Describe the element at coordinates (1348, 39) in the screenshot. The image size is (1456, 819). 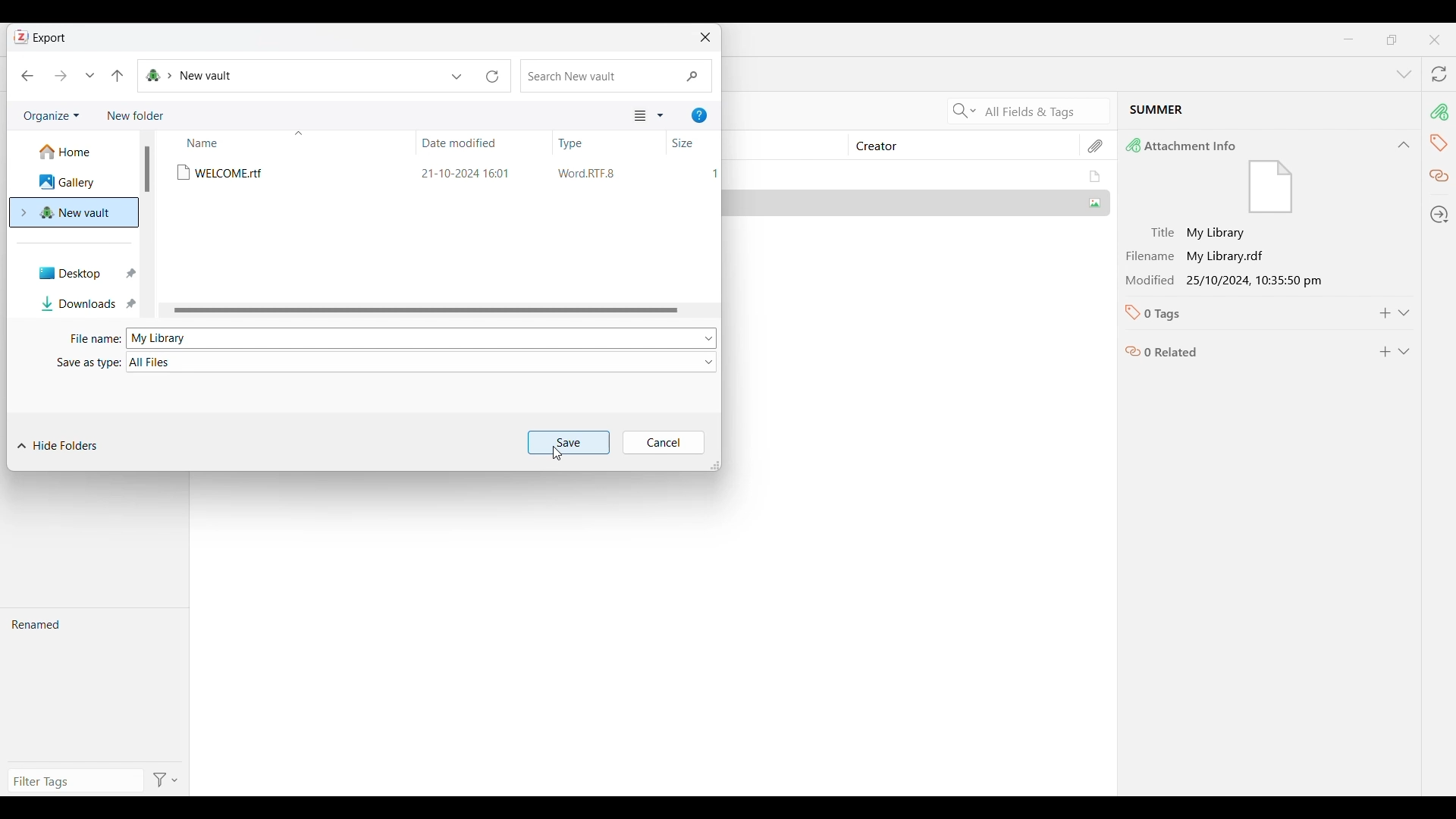
I see `Minimize` at that location.